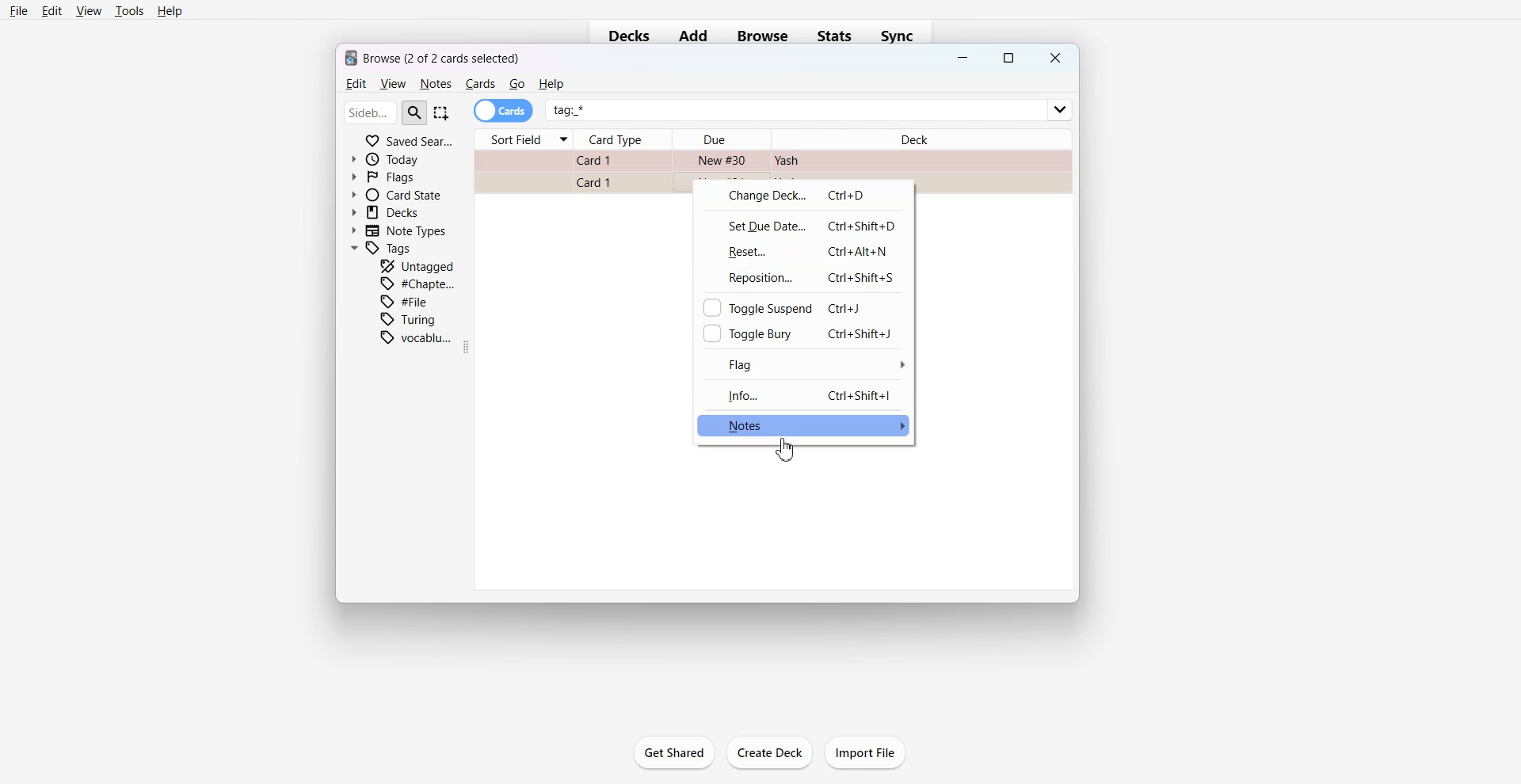  I want to click on Card State, so click(395, 194).